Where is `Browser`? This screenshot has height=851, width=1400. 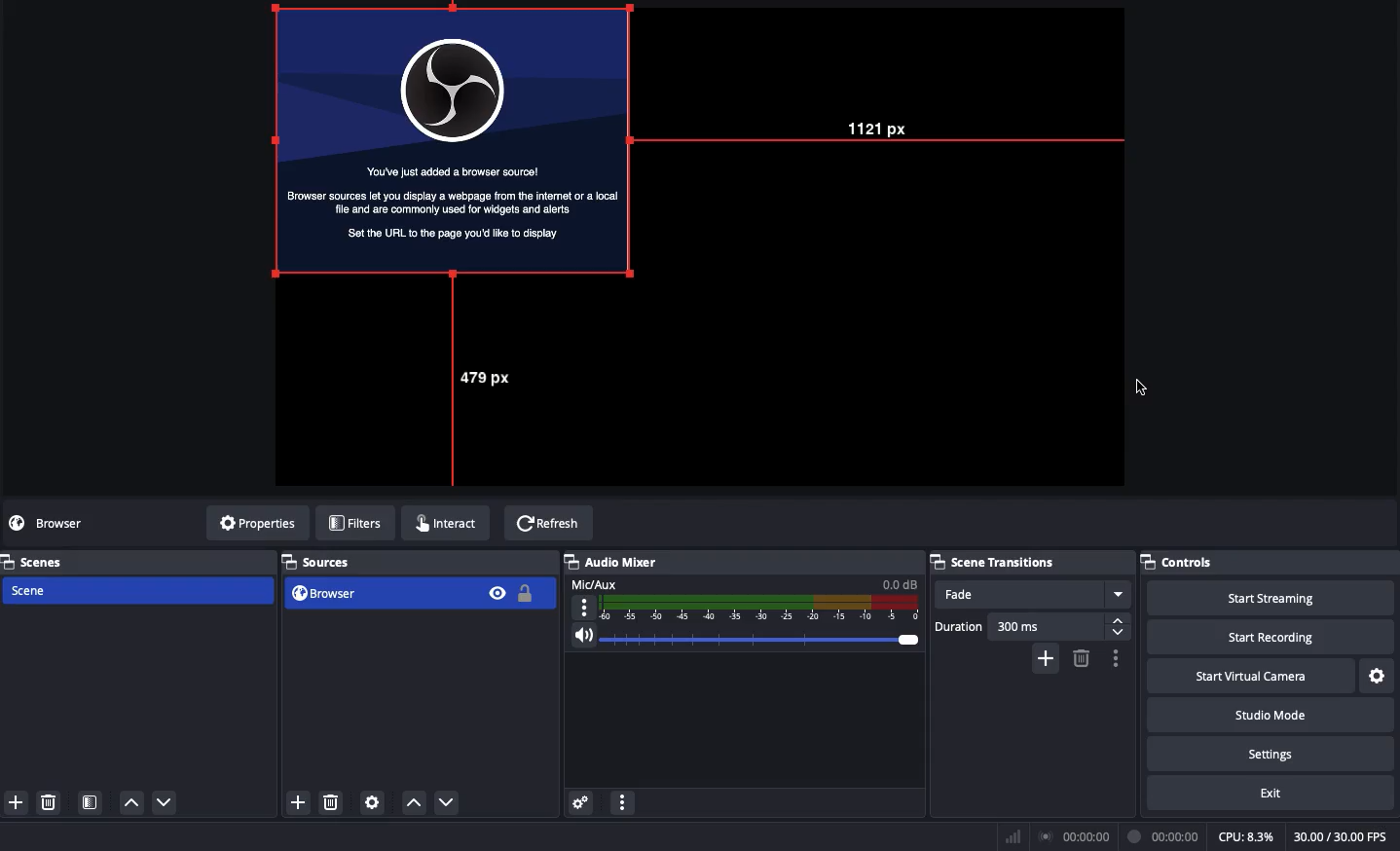
Browser is located at coordinates (376, 593).